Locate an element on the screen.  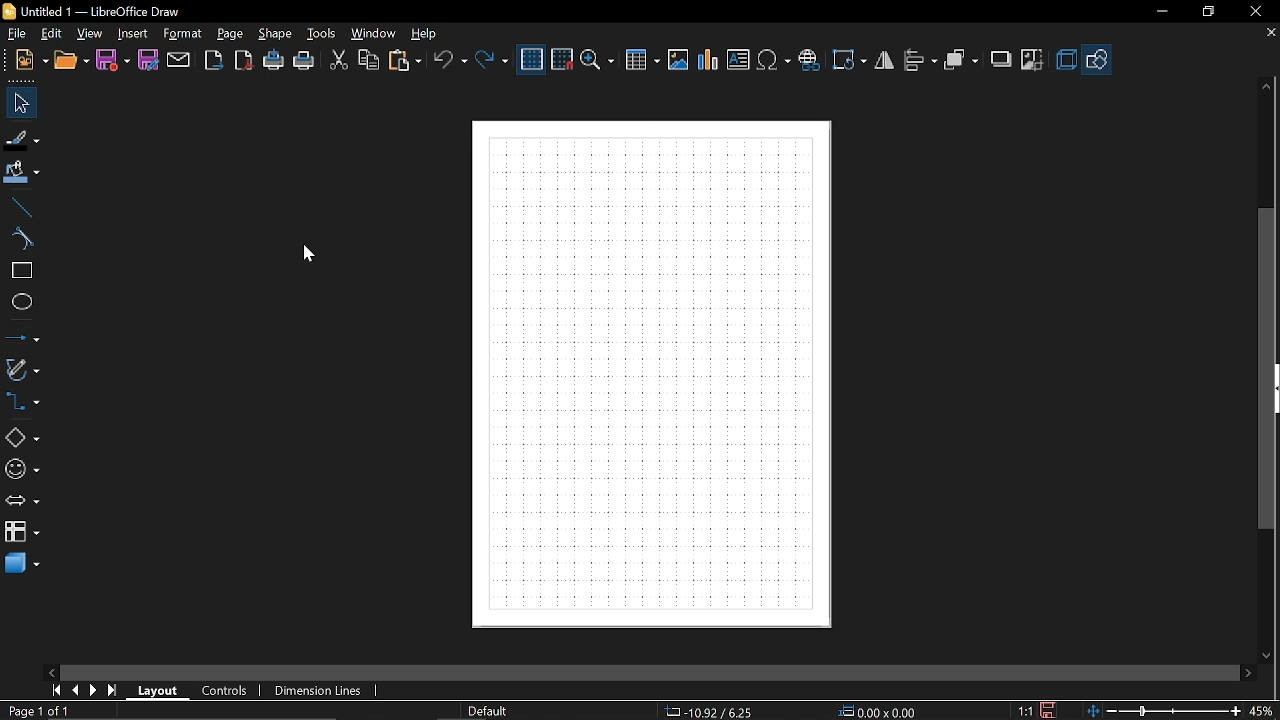
curves and polygon is located at coordinates (22, 370).